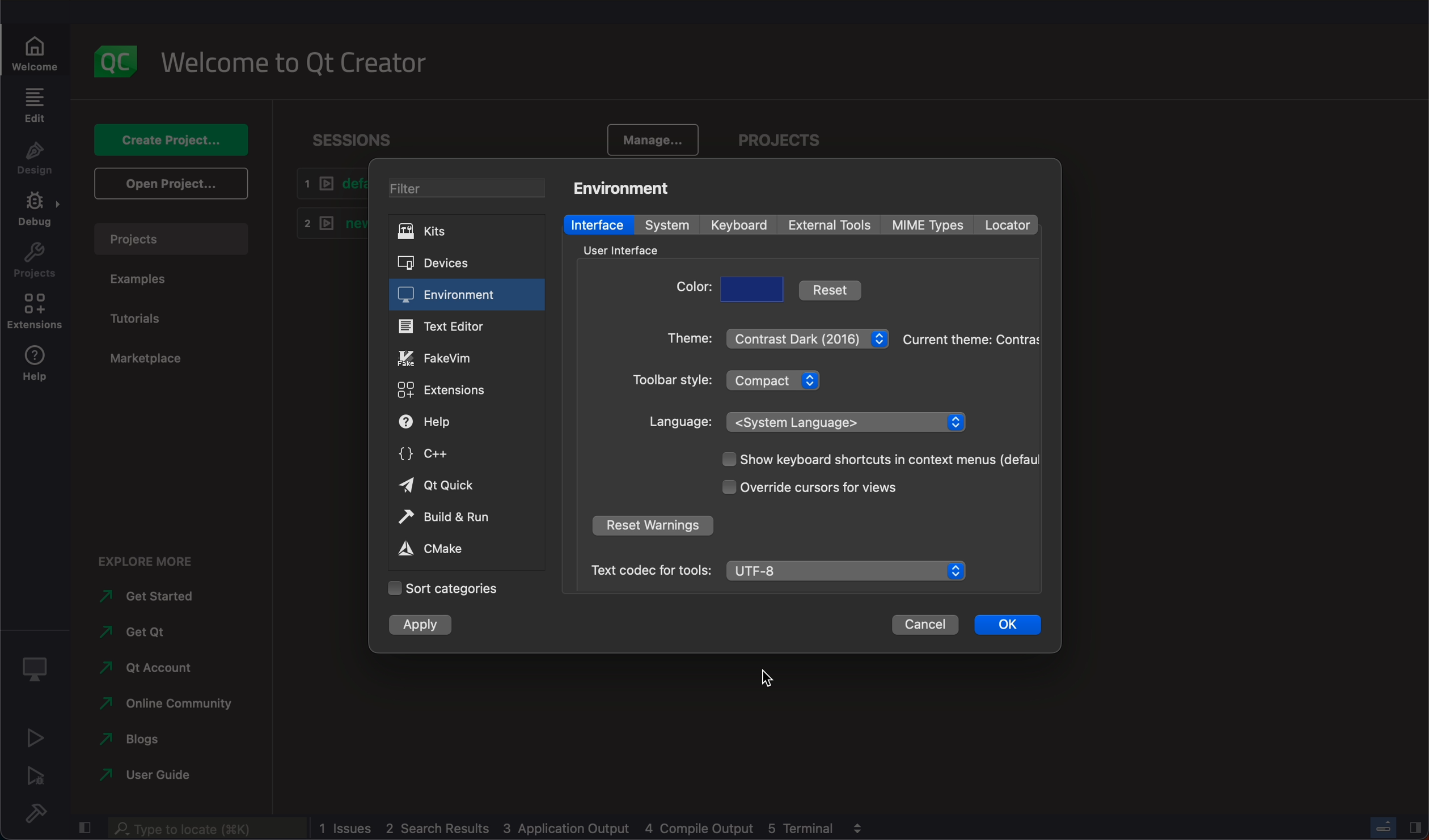  Describe the element at coordinates (457, 391) in the screenshot. I see `extensions` at that location.